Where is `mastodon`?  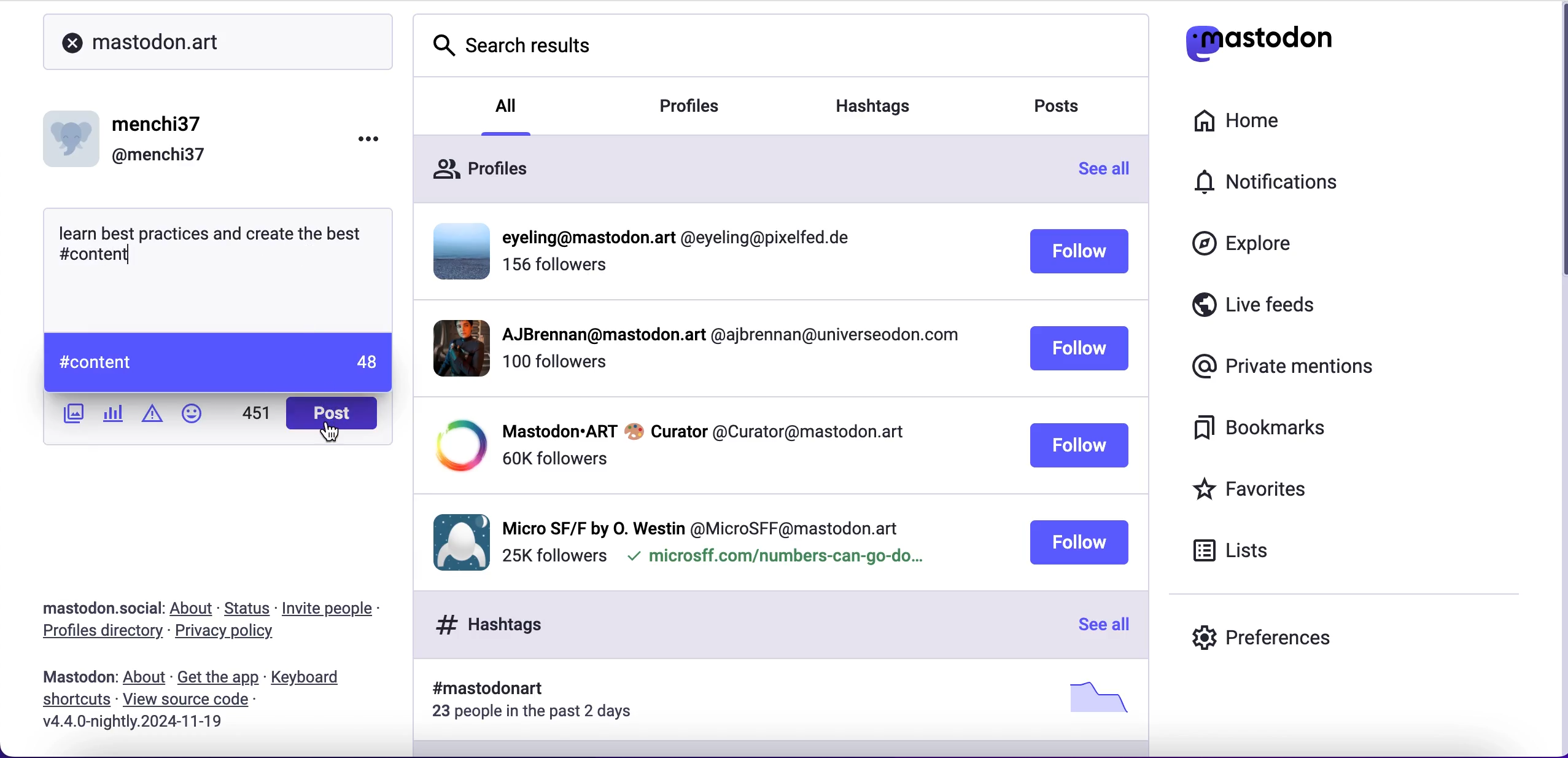
mastodon is located at coordinates (72, 678).